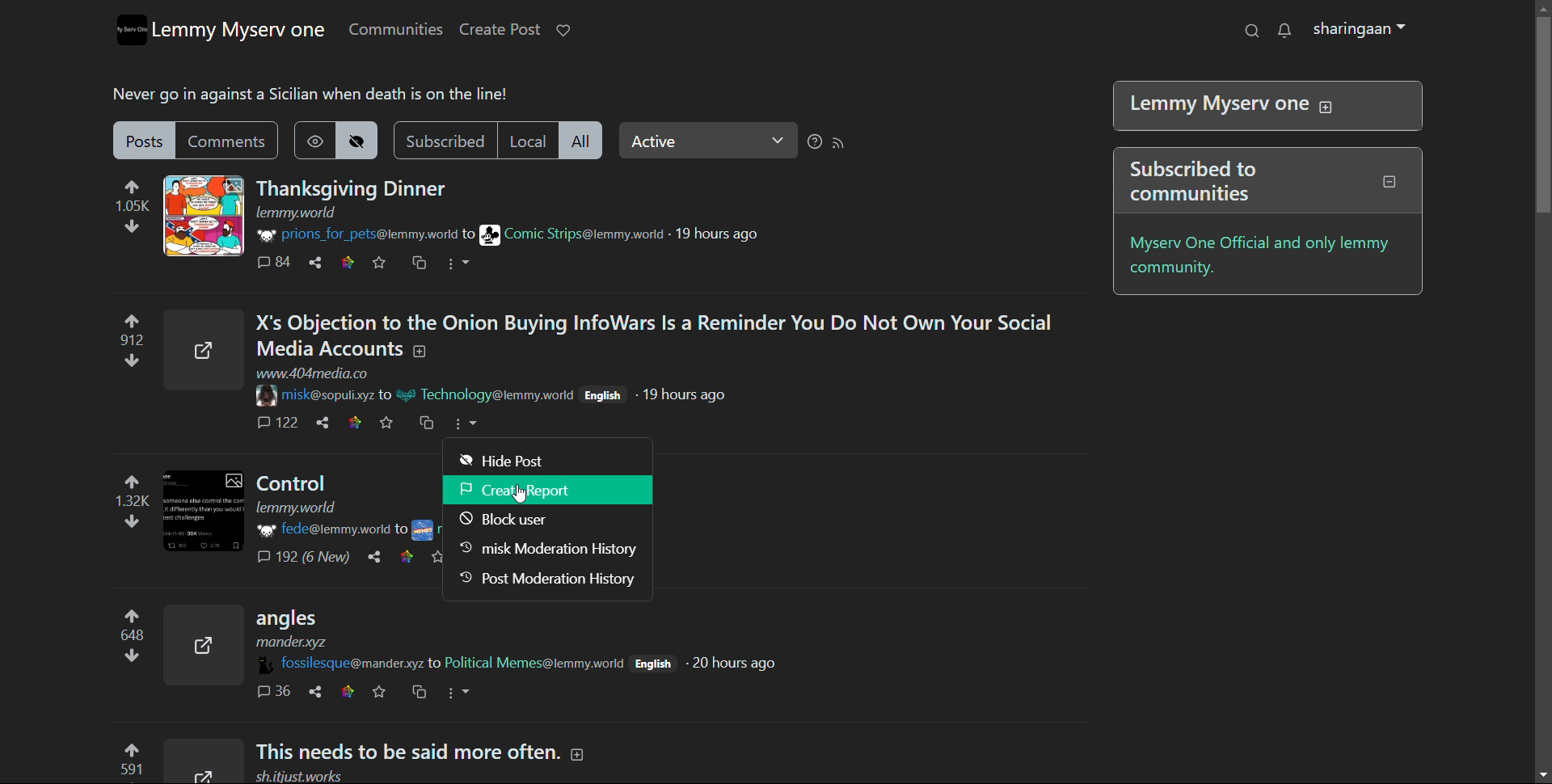 The image size is (1552, 784). What do you see at coordinates (314, 140) in the screenshot?
I see `show hidden posts` at bounding box center [314, 140].